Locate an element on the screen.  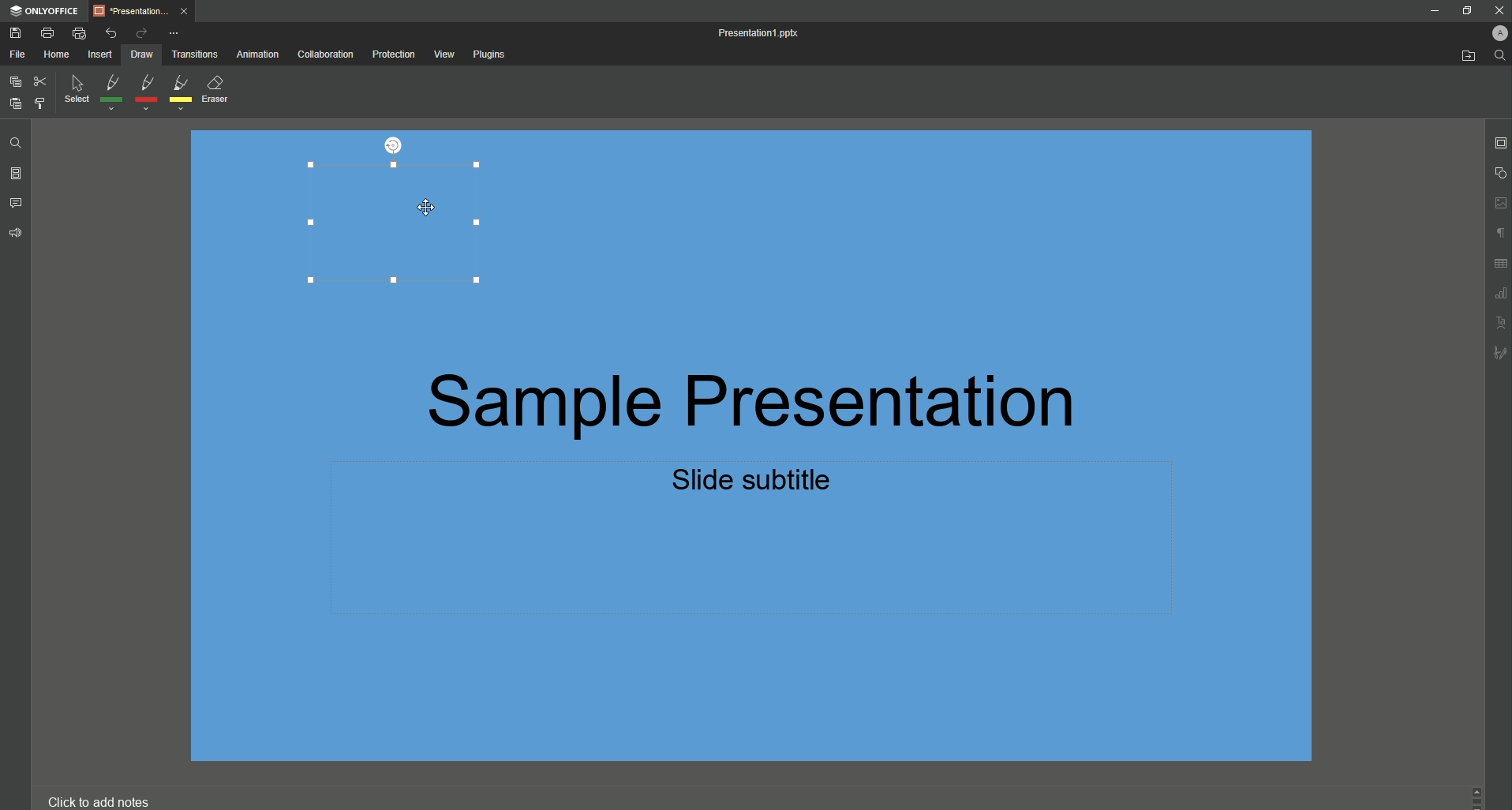
Paste is located at coordinates (15, 103).